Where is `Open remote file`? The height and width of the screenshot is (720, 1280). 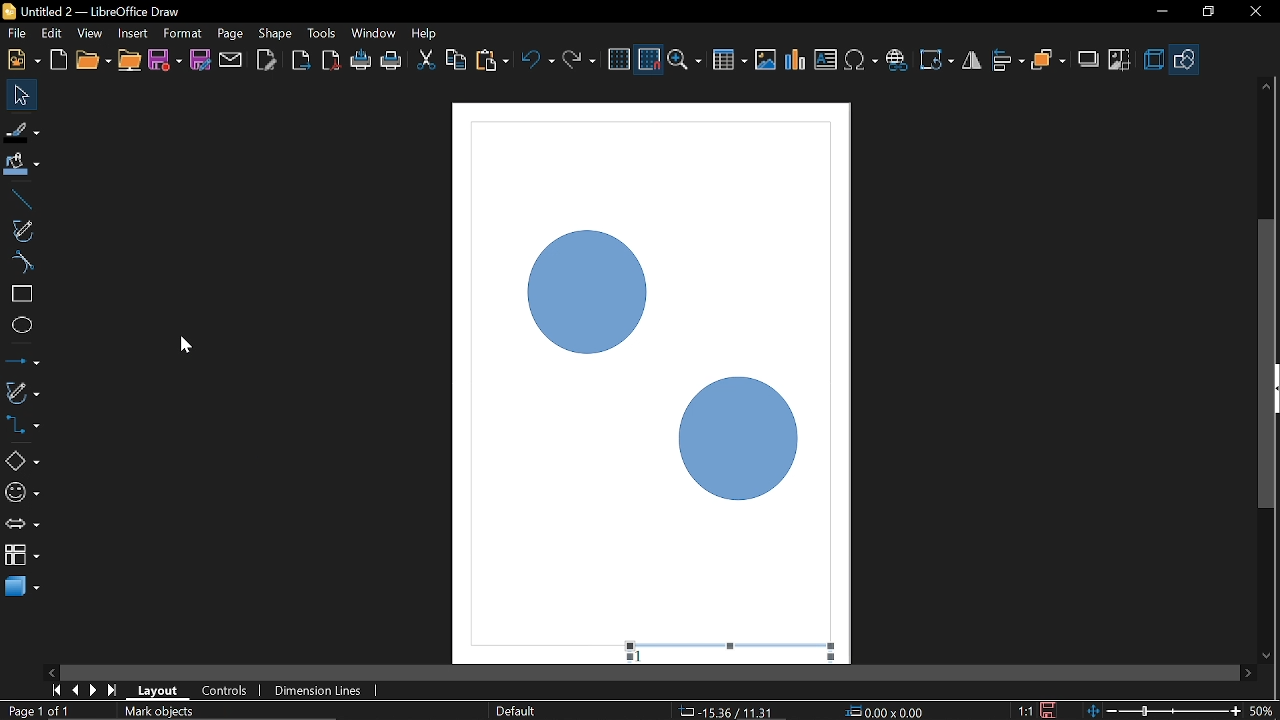 Open remote file is located at coordinates (130, 61).